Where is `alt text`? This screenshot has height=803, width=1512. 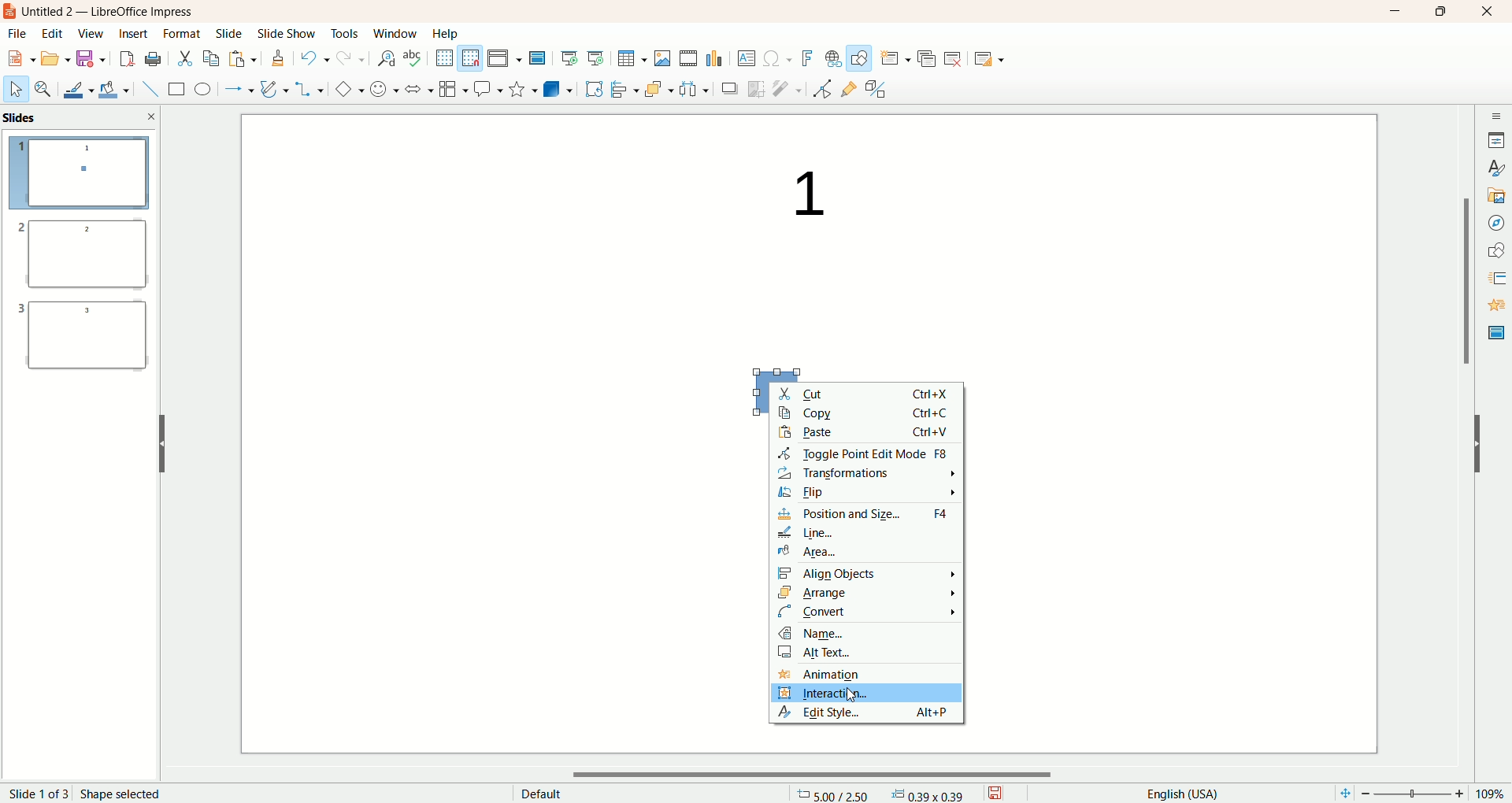 alt text is located at coordinates (858, 652).